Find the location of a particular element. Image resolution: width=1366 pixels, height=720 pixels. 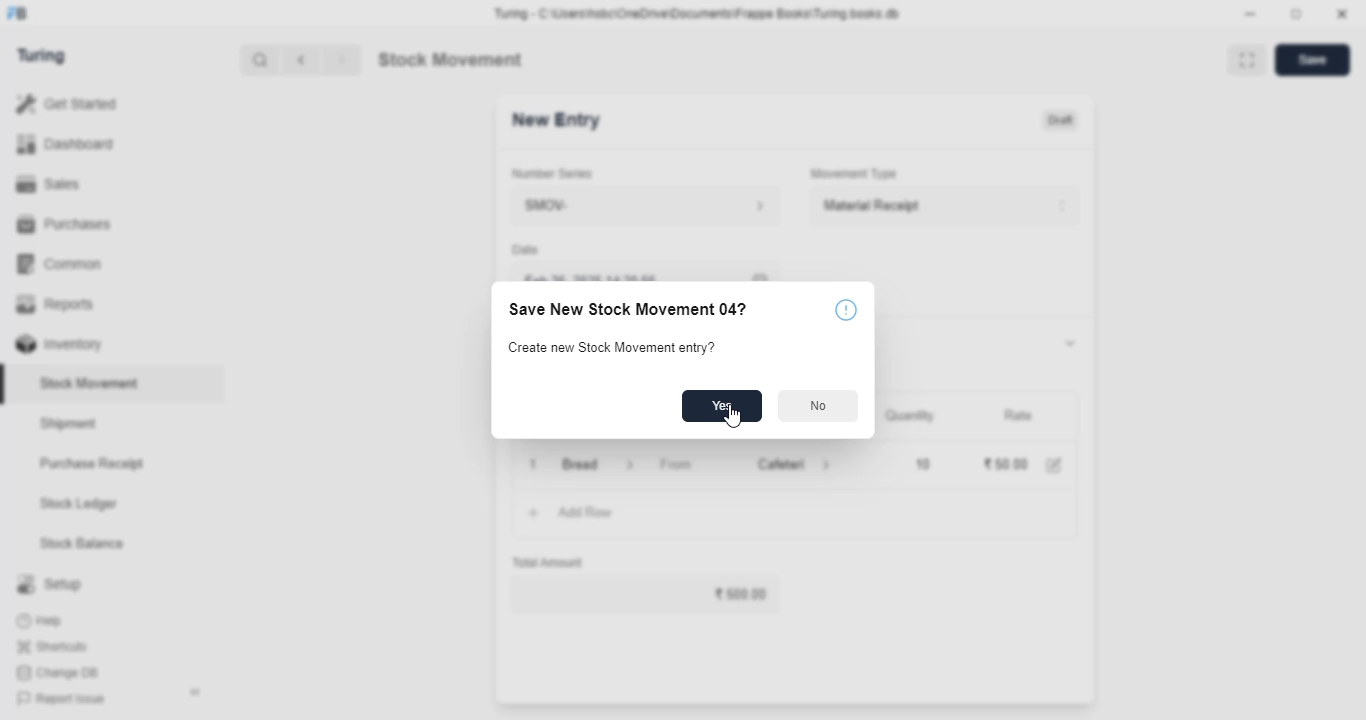

Save New Stock Movement 04? is located at coordinates (629, 309).